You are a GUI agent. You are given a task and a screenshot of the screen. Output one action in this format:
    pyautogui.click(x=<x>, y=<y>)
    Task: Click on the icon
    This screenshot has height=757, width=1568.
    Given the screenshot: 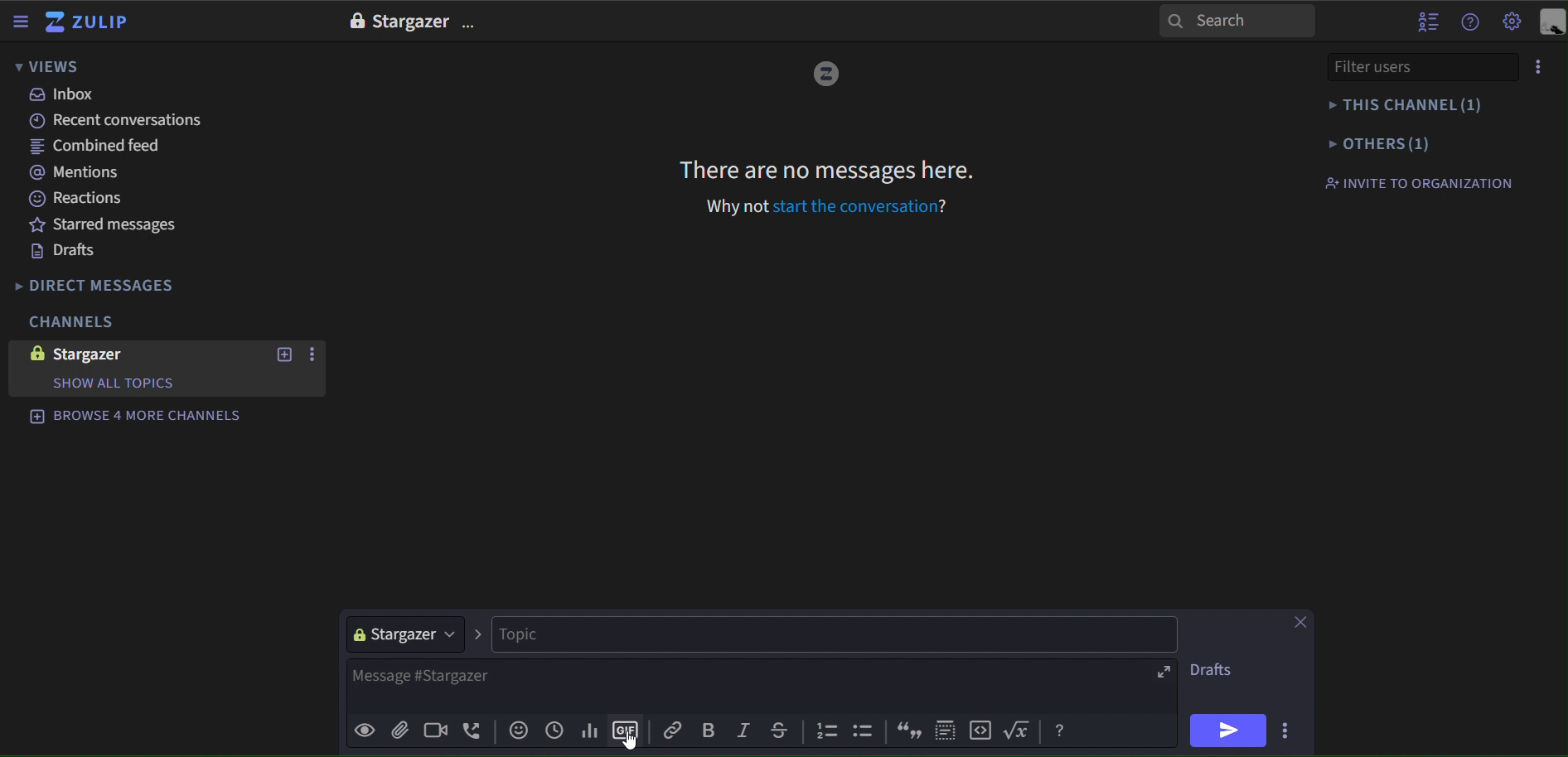 What is the action you would take?
    pyautogui.click(x=1060, y=731)
    